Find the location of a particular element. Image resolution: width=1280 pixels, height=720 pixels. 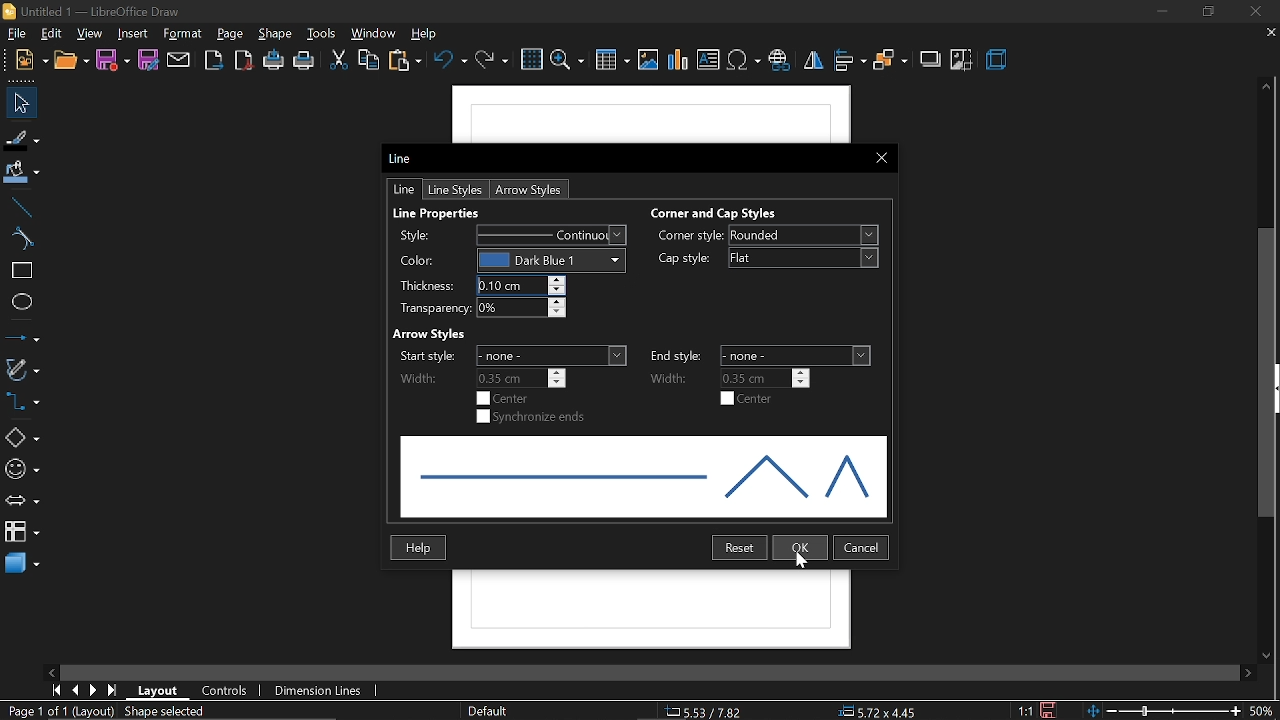

go to first page is located at coordinates (54, 690).